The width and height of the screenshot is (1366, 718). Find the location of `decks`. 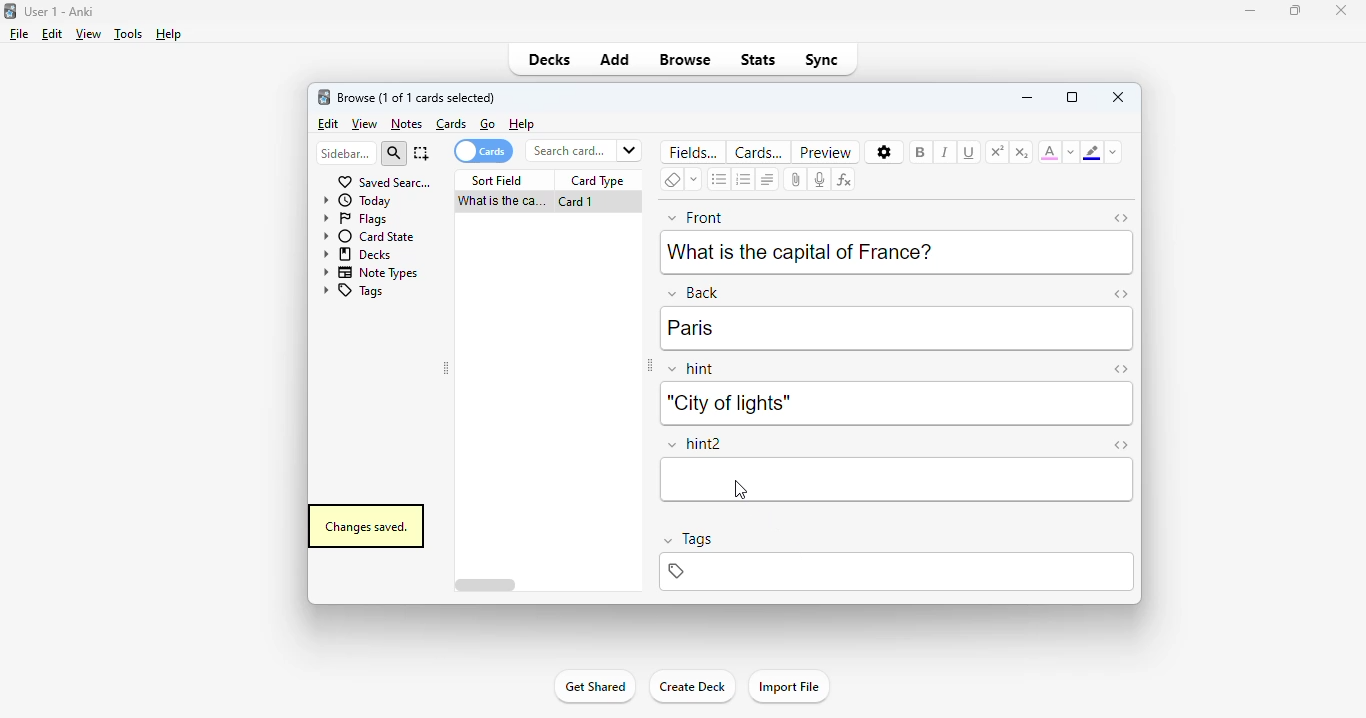

decks is located at coordinates (550, 59).